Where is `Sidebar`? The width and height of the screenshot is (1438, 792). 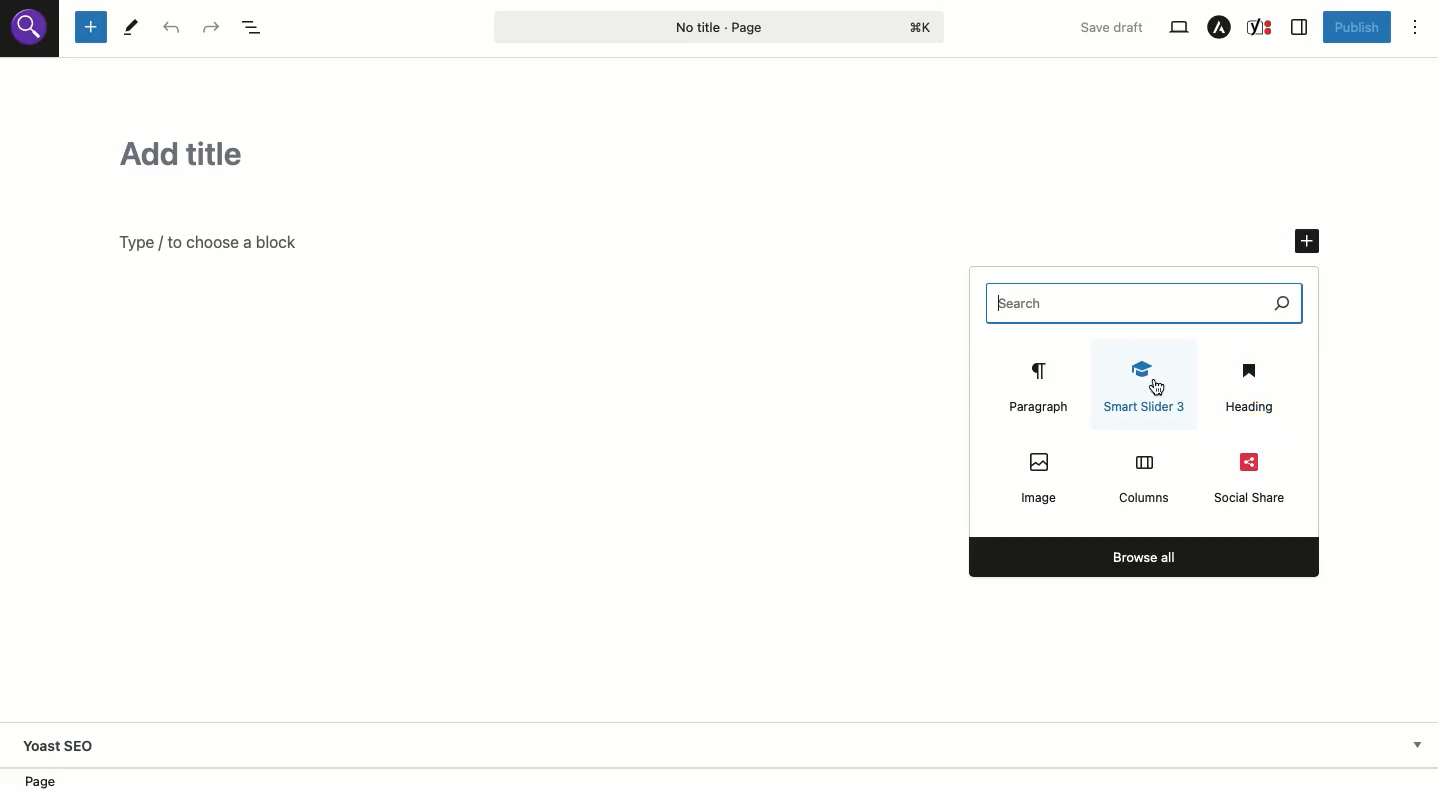
Sidebar is located at coordinates (1300, 27).